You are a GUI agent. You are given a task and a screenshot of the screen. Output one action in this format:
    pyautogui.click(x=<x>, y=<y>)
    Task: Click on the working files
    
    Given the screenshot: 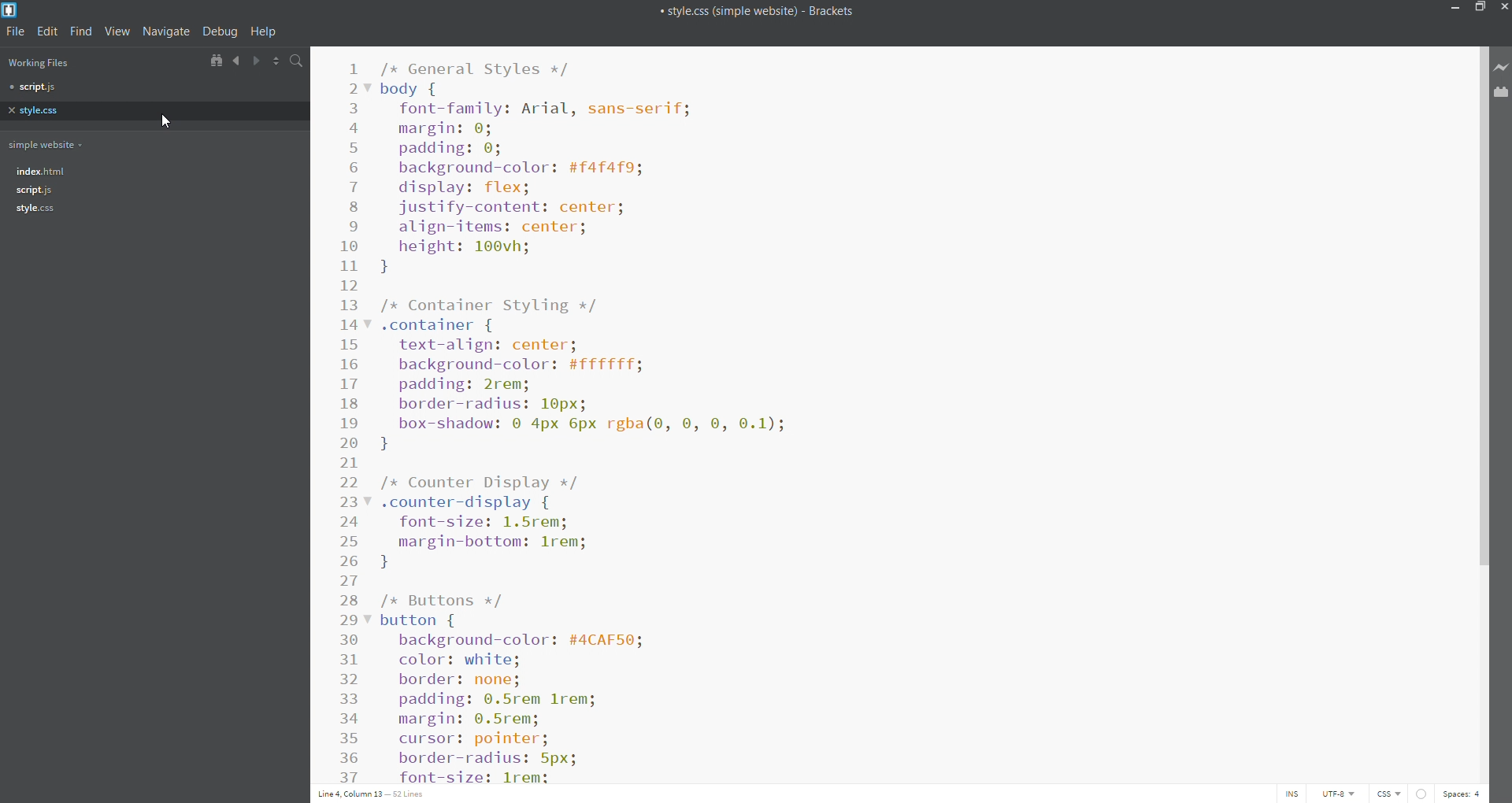 What is the action you would take?
    pyautogui.click(x=46, y=64)
    